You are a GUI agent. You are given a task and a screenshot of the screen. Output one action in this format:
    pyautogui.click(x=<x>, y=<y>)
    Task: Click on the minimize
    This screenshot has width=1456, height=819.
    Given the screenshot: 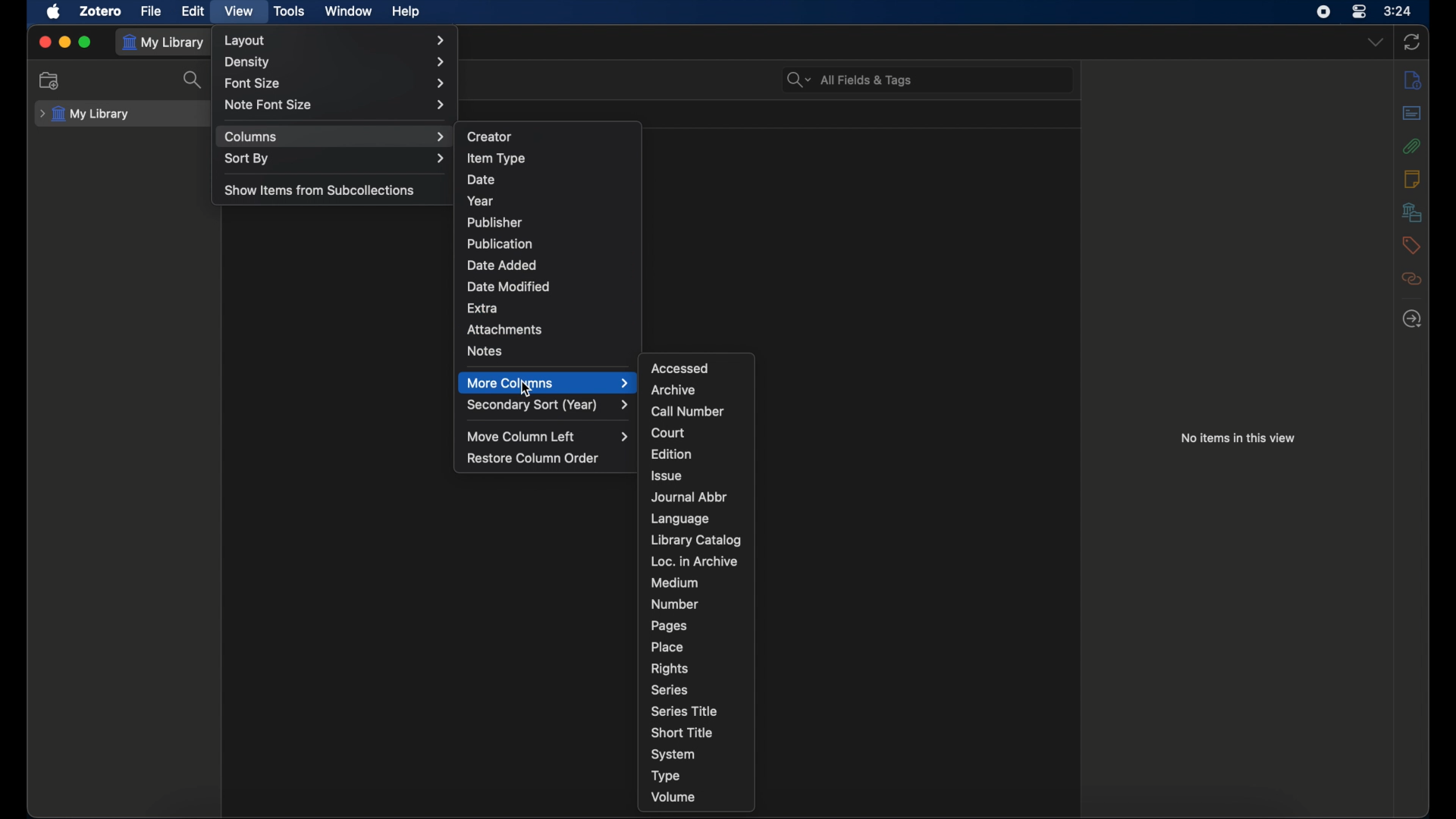 What is the action you would take?
    pyautogui.click(x=65, y=42)
    